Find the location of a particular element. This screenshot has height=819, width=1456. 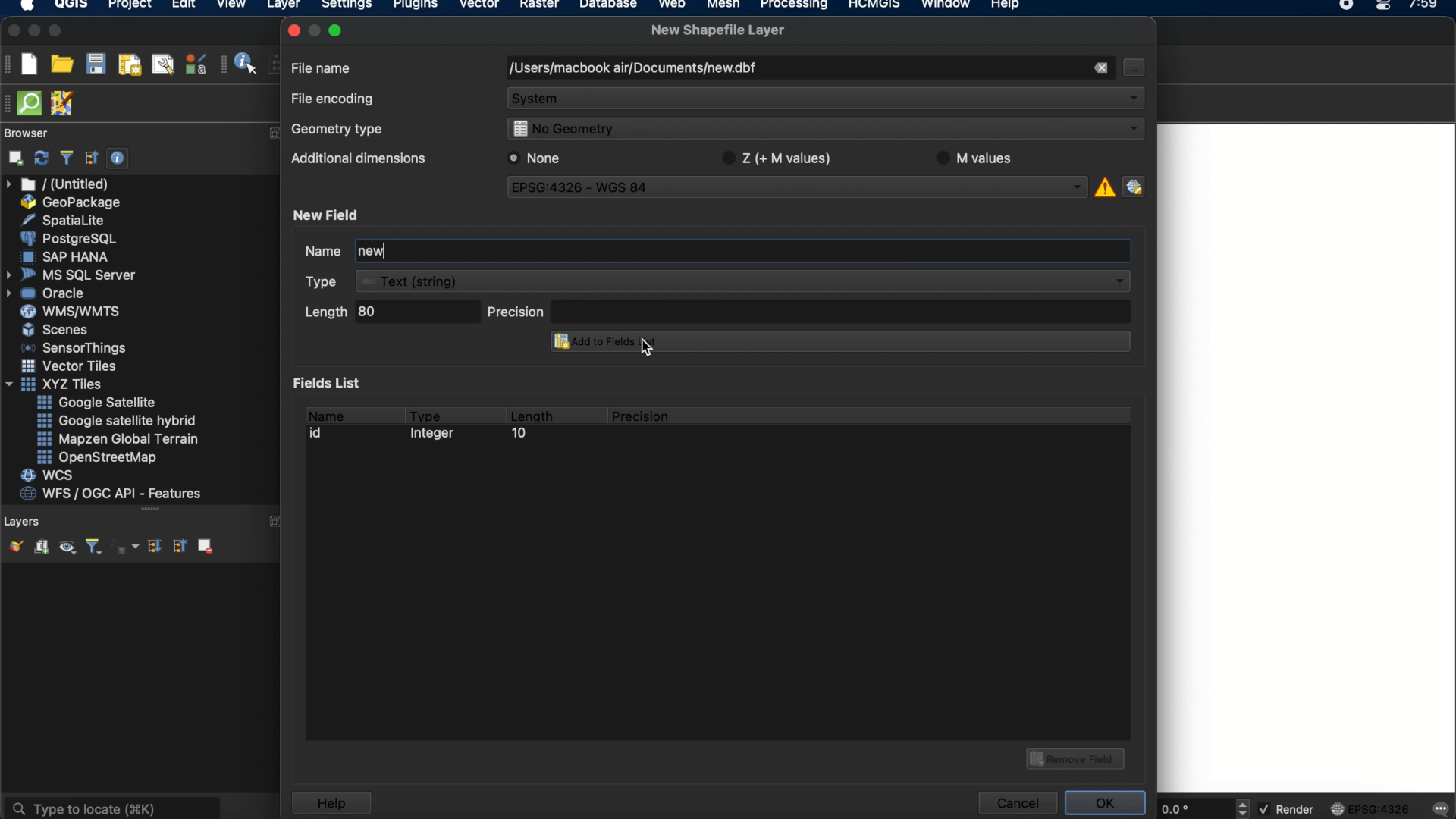

database is located at coordinates (607, 6).